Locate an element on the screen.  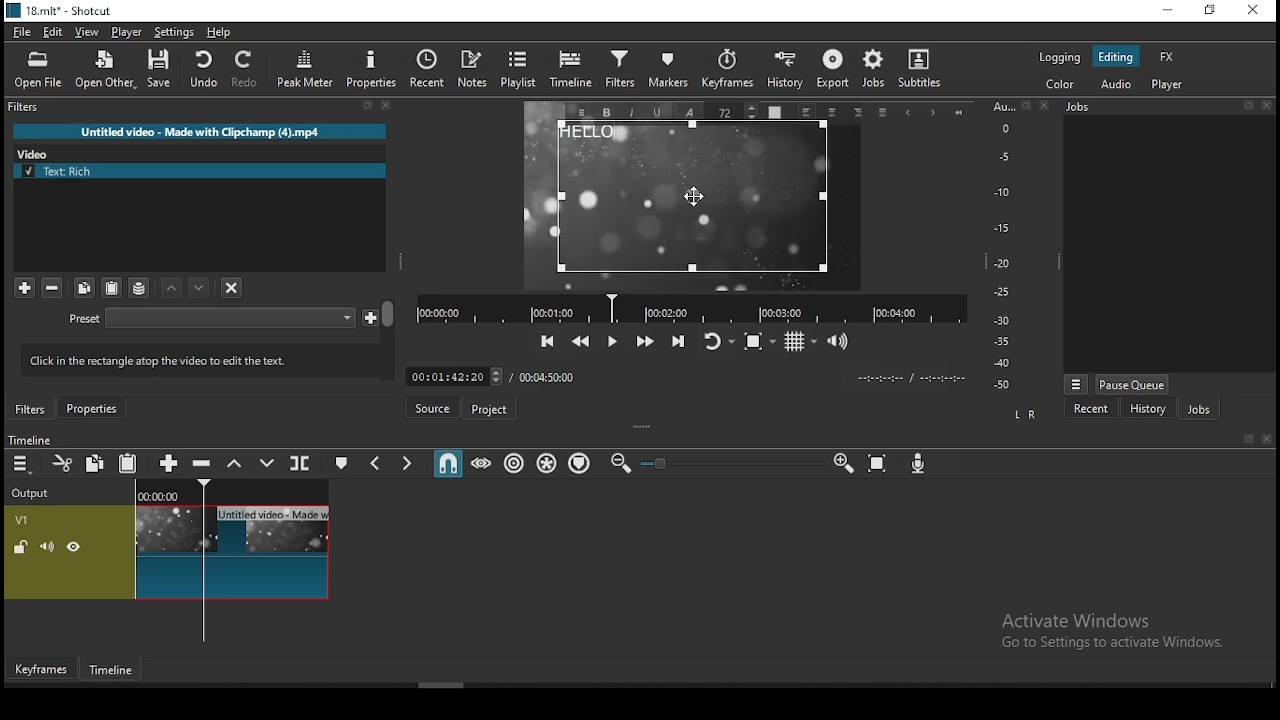
record audio is located at coordinates (919, 464).